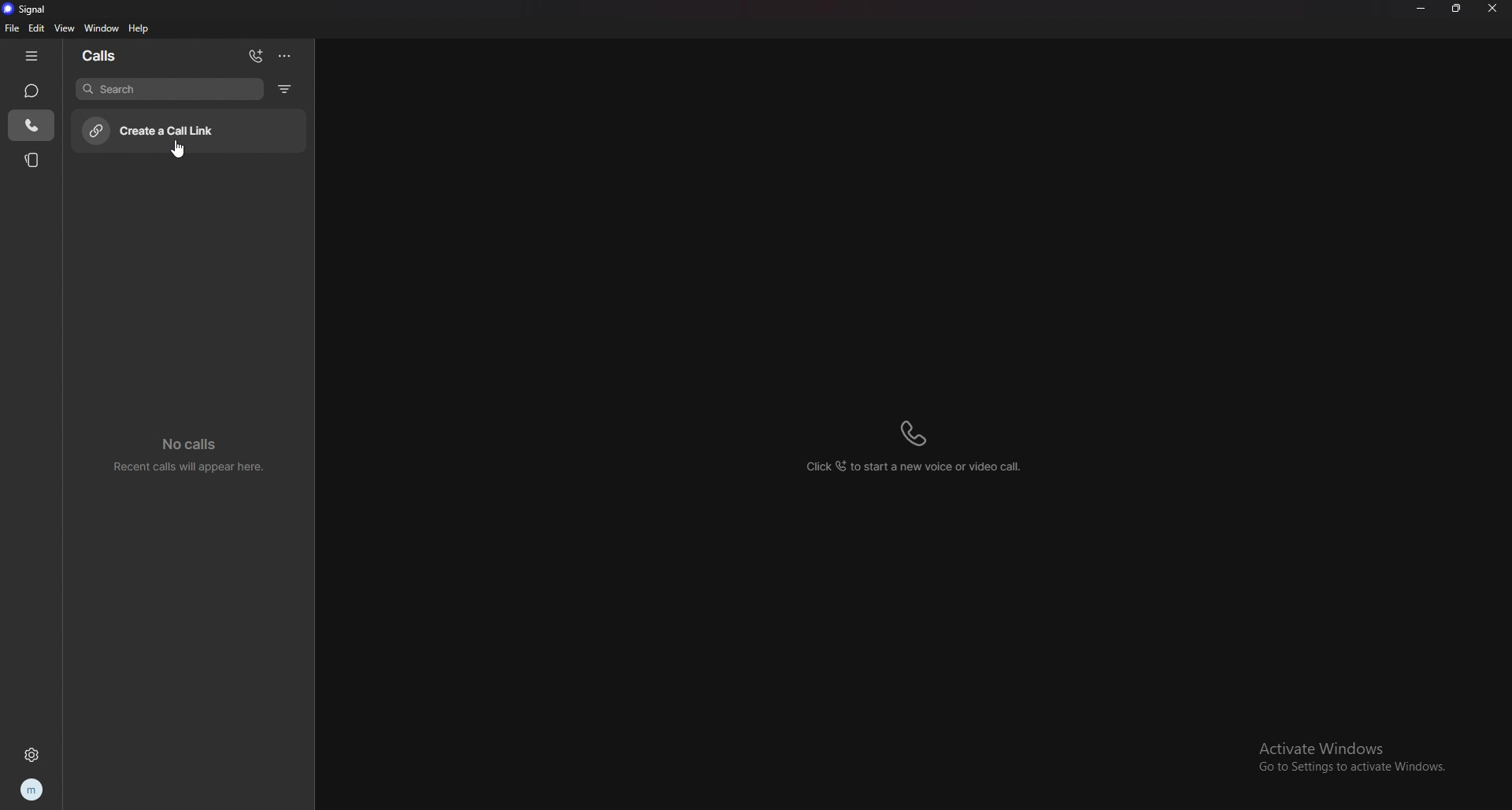 The width and height of the screenshot is (1512, 810). I want to click on file, so click(13, 28).